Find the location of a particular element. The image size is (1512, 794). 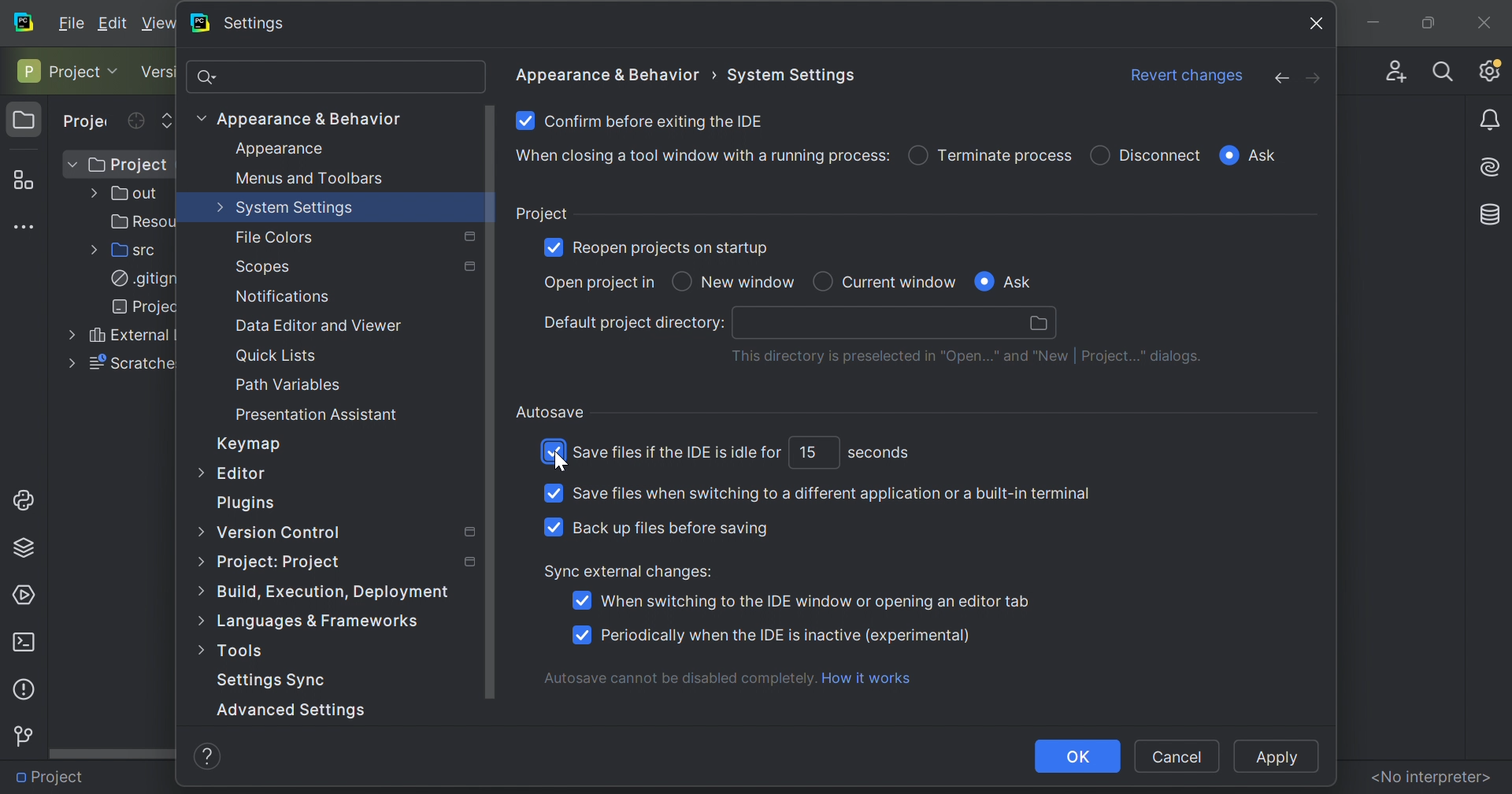

Settings marked with this icon are only applied to the current project. Non-marked settings are applied to all projects. is located at coordinates (466, 532).